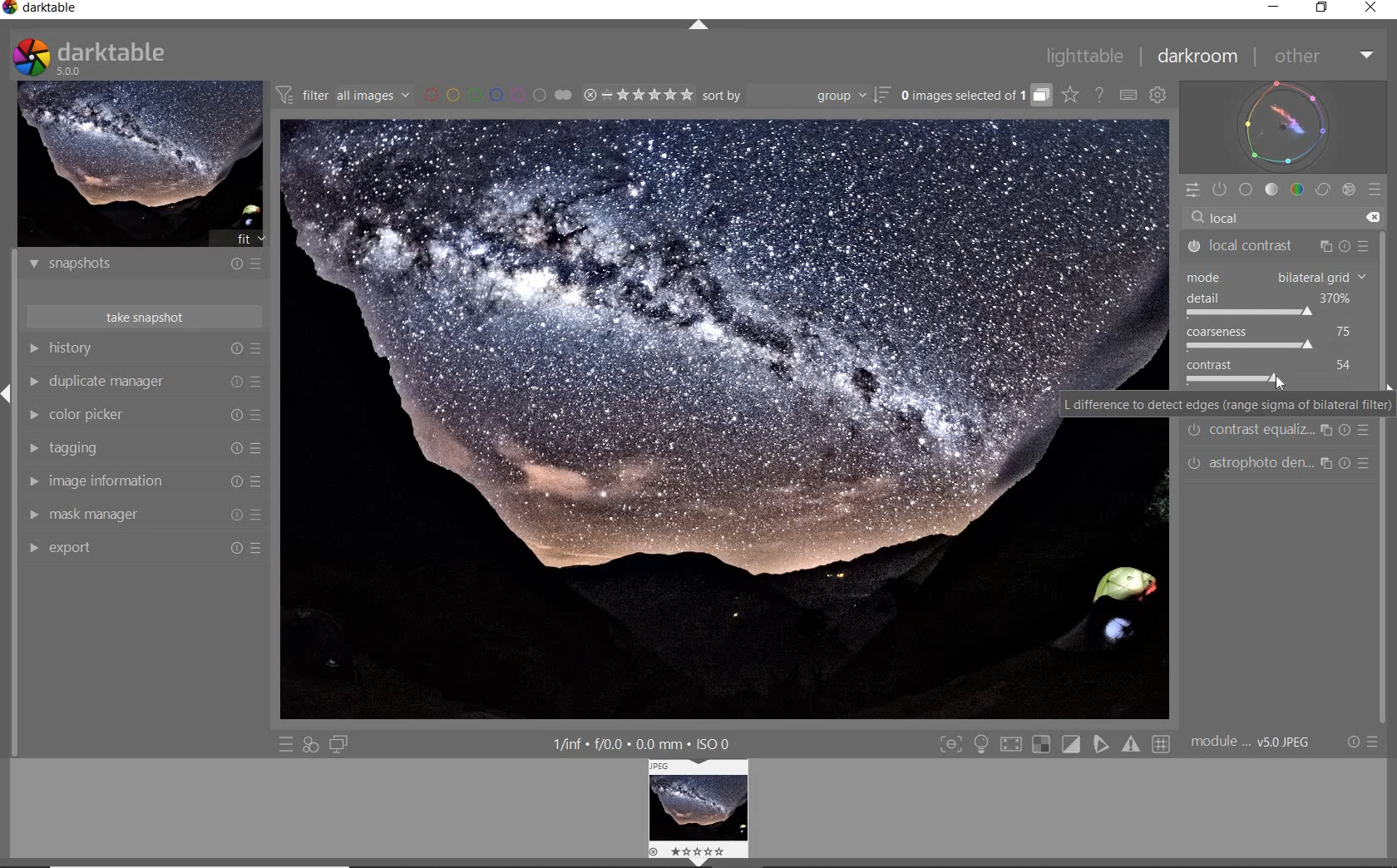 The height and width of the screenshot is (868, 1397). What do you see at coordinates (237, 417) in the screenshot?
I see `Reset` at bounding box center [237, 417].